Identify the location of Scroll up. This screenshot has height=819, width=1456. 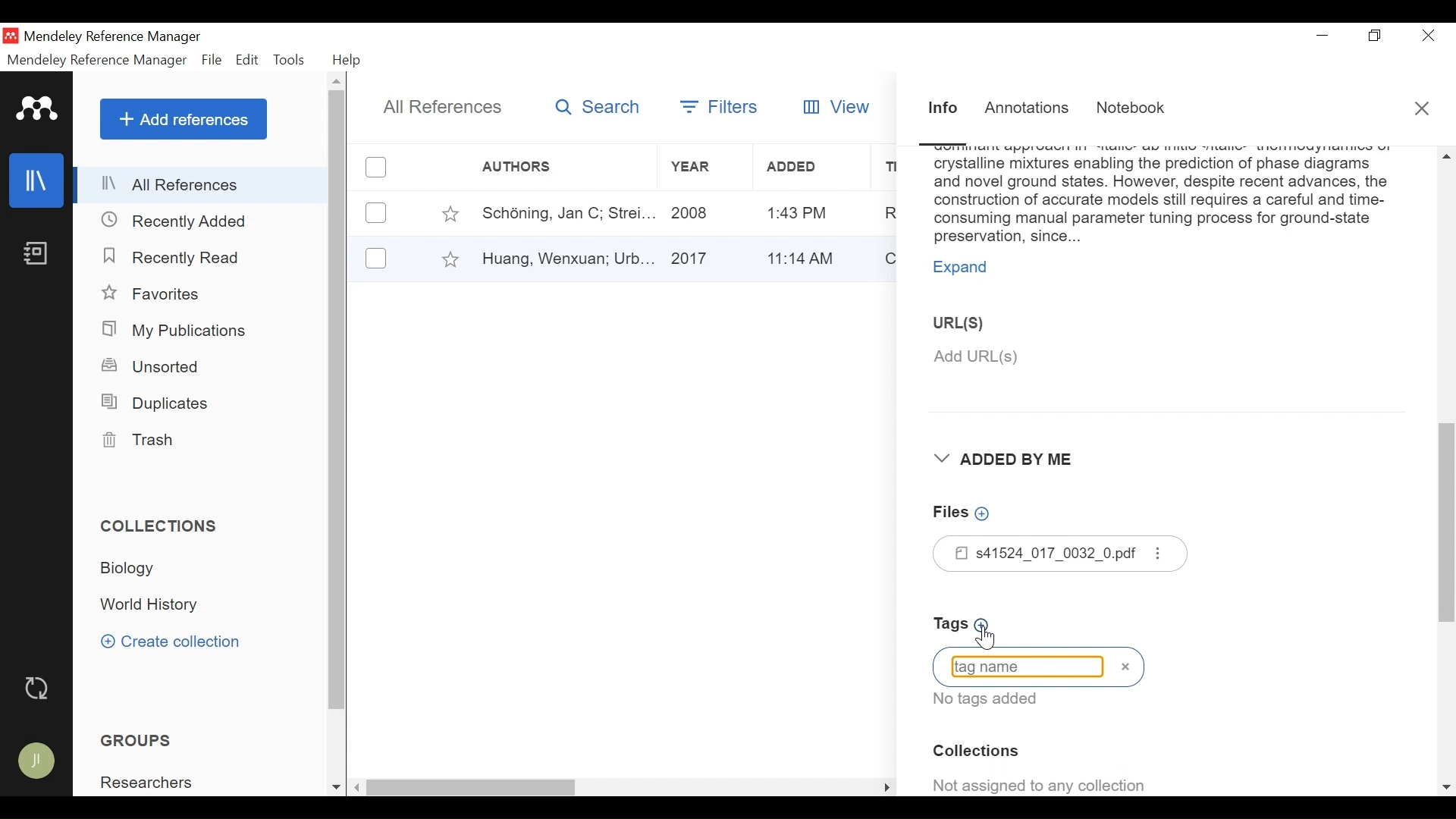
(1445, 155).